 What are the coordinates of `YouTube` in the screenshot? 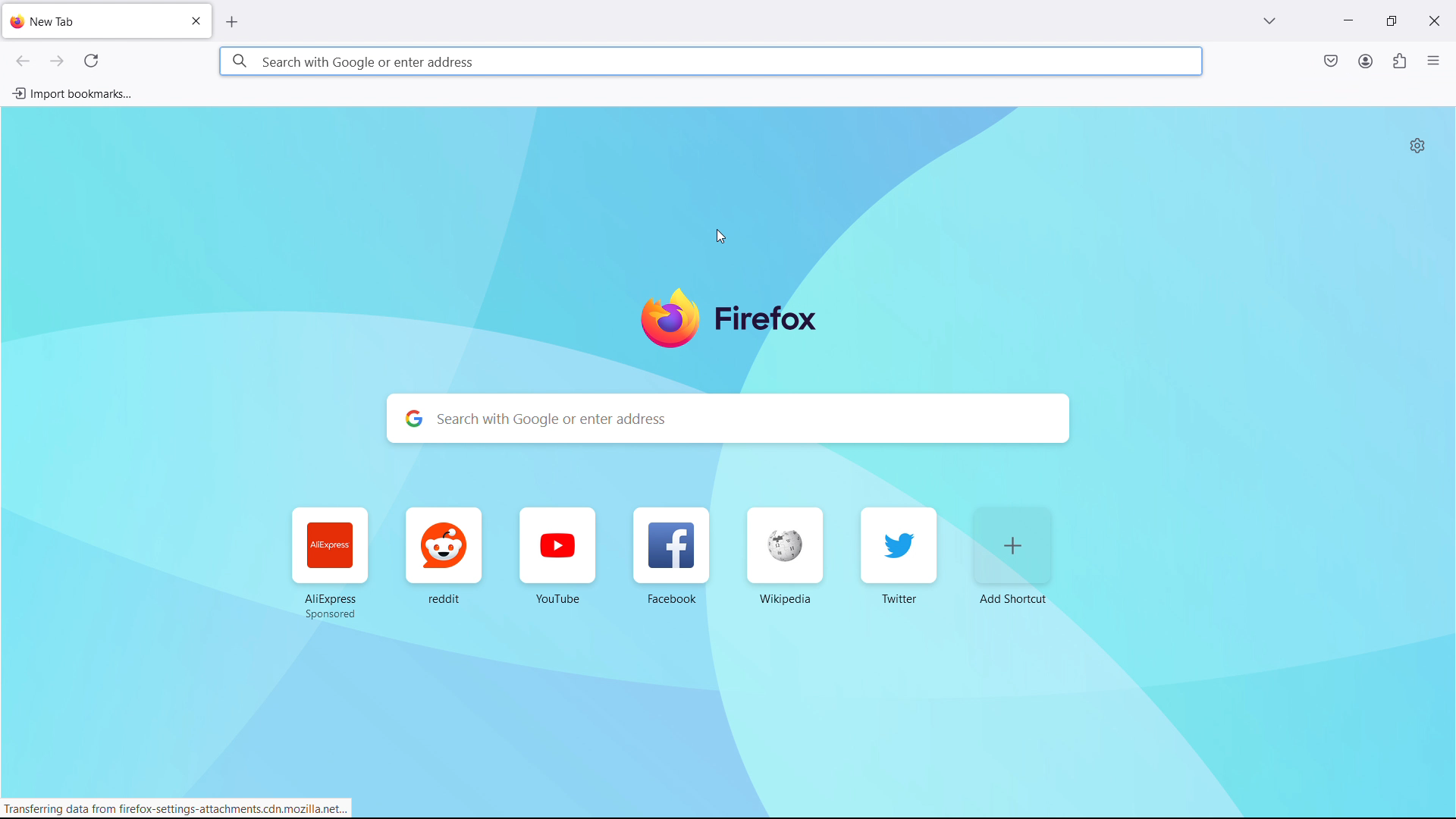 It's located at (563, 555).